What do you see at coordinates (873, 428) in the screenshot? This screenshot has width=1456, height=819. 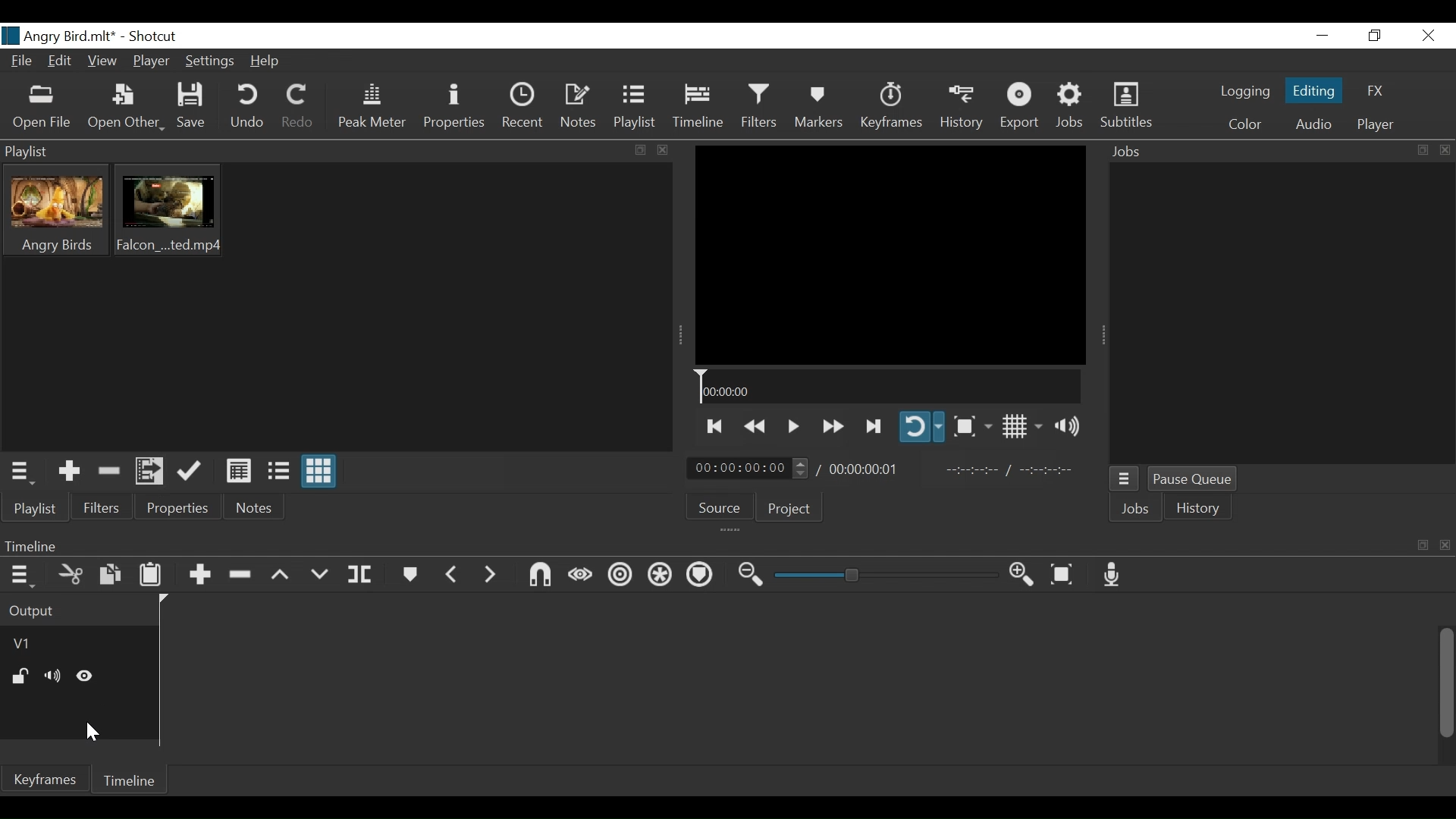 I see `Skip to the next point` at bounding box center [873, 428].